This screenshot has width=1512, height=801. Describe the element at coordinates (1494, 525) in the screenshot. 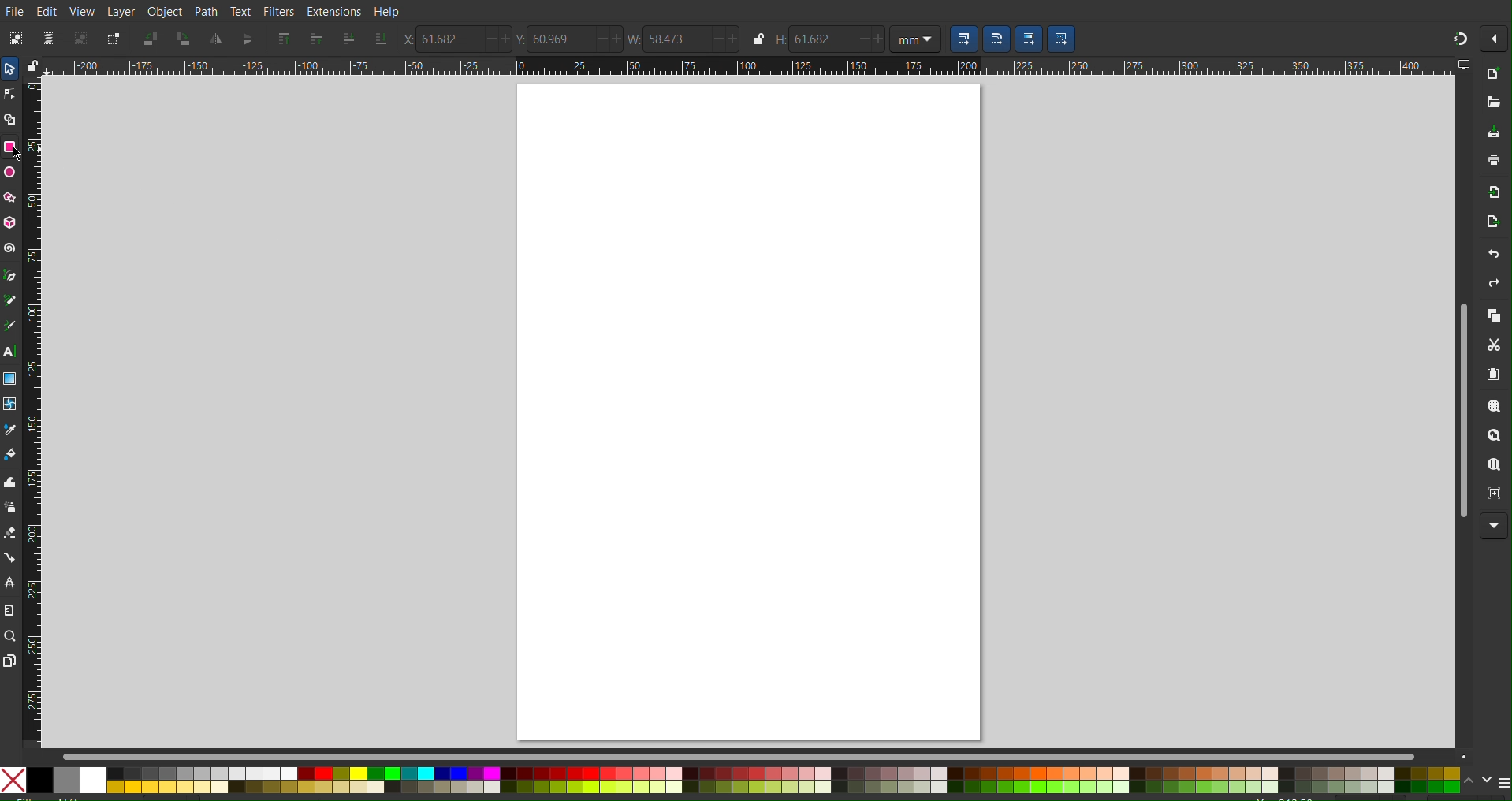

I see `More Options` at that location.